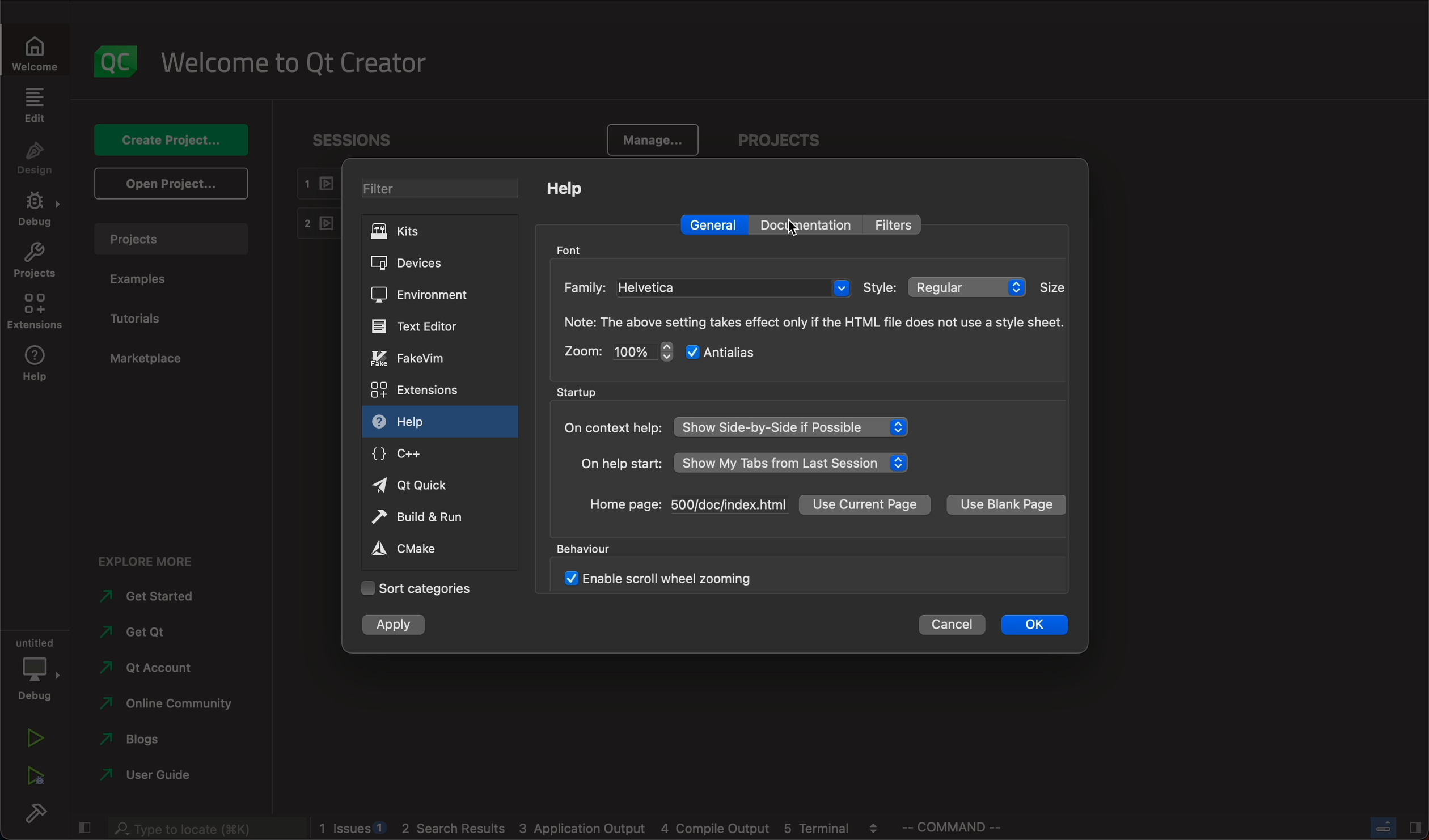 The height and width of the screenshot is (840, 1429). I want to click on environment, so click(431, 294).